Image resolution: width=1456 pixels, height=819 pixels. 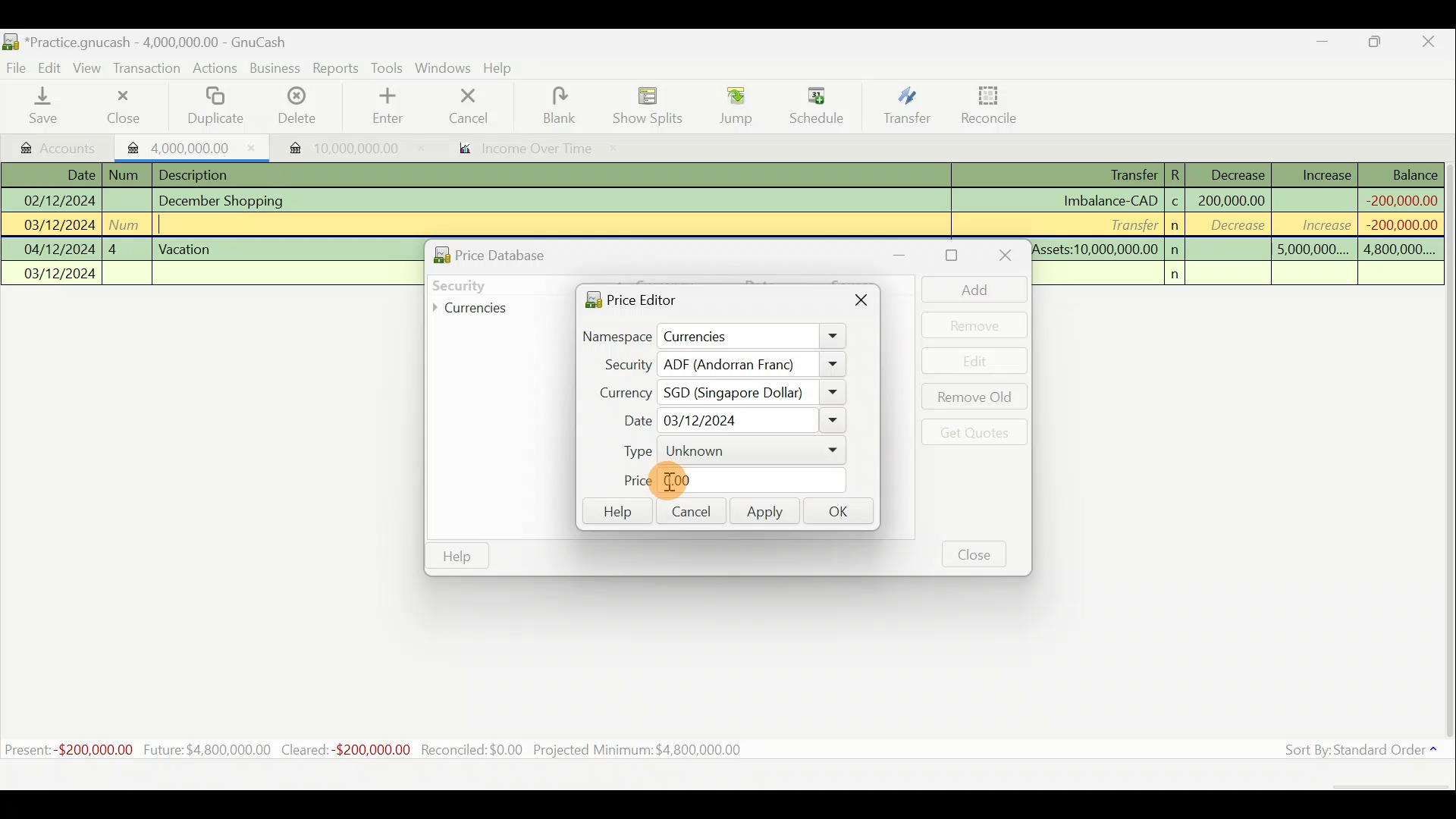 What do you see at coordinates (971, 398) in the screenshot?
I see `Remove old` at bounding box center [971, 398].